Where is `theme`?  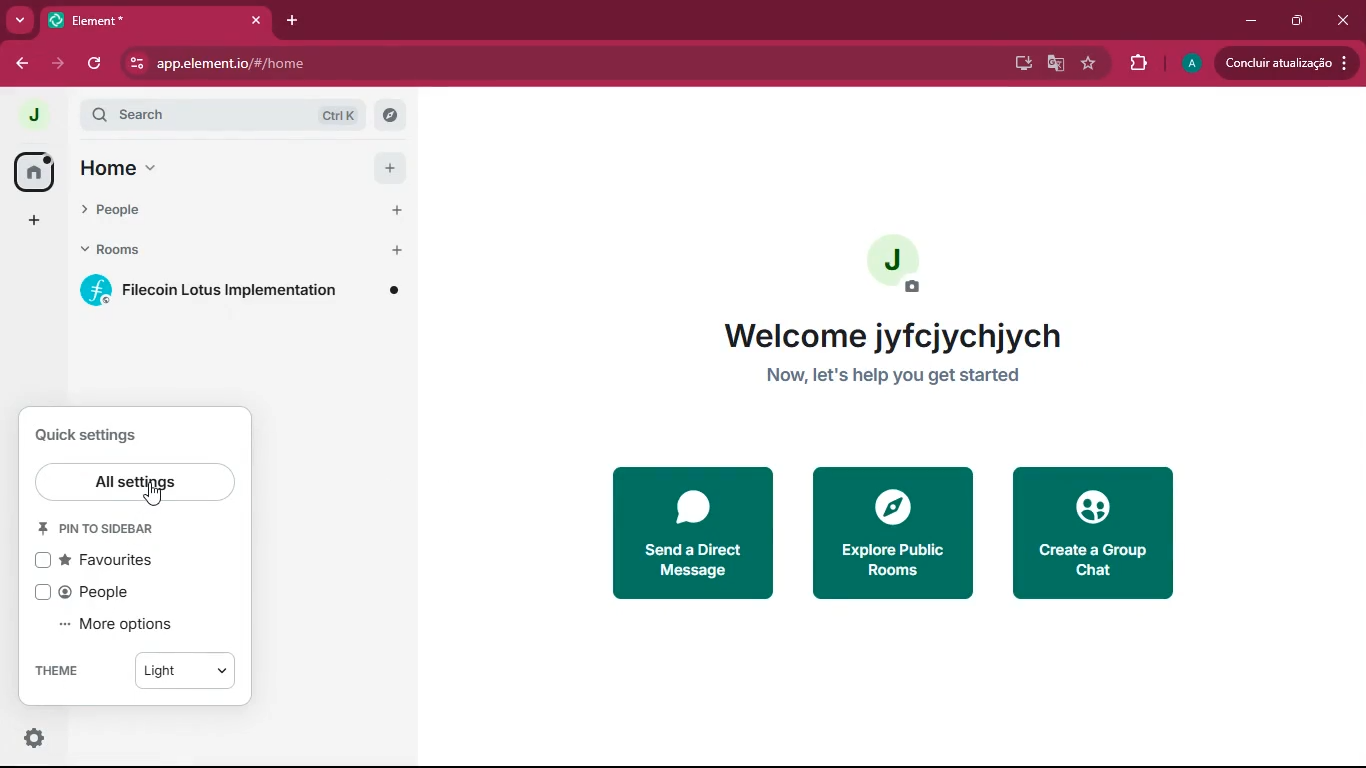
theme is located at coordinates (65, 673).